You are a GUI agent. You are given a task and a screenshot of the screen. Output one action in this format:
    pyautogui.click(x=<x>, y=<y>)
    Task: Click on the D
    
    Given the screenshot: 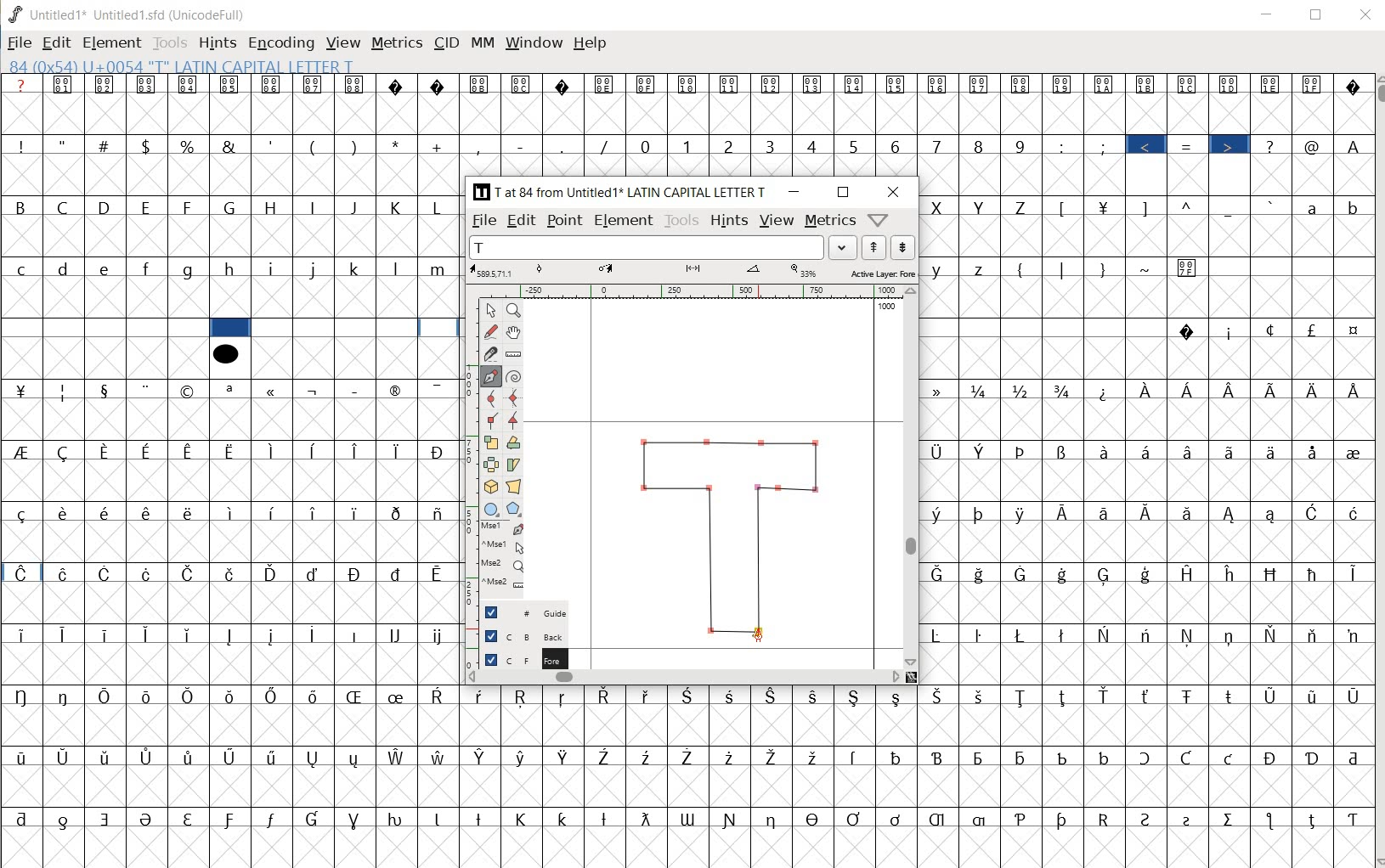 What is the action you would take?
    pyautogui.click(x=108, y=208)
    